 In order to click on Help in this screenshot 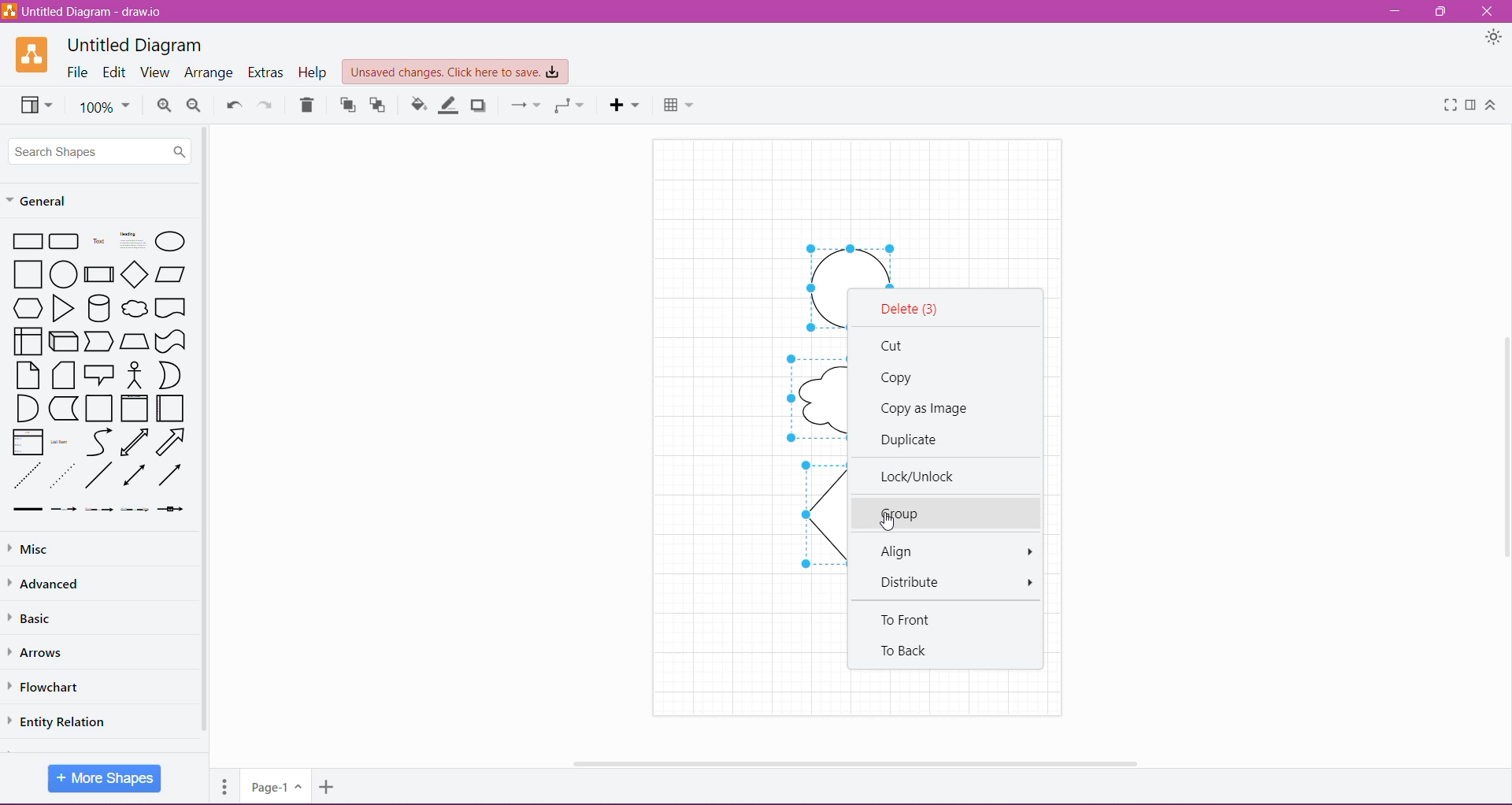, I will do `click(314, 72)`.